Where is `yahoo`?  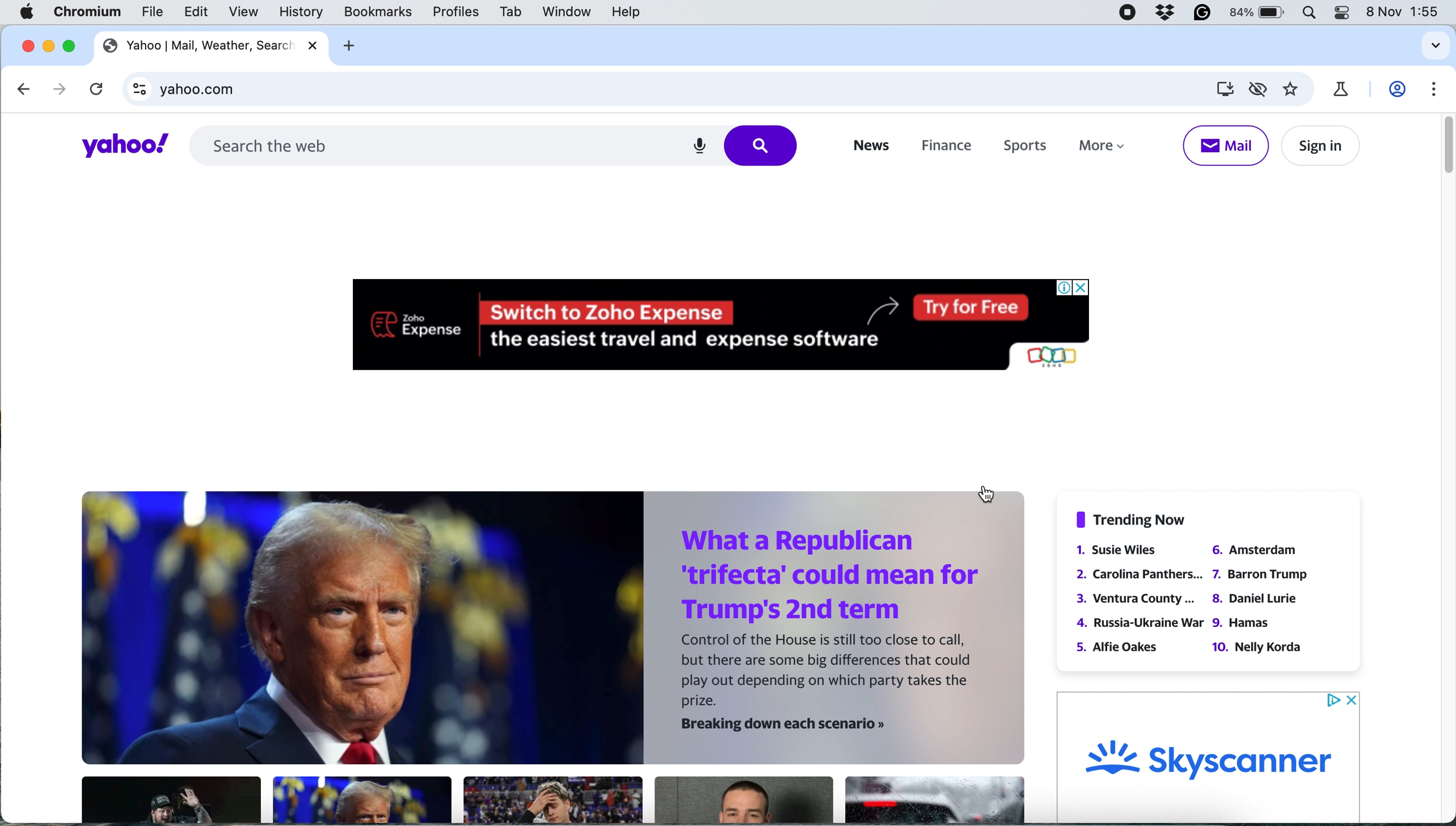 yahoo is located at coordinates (196, 44).